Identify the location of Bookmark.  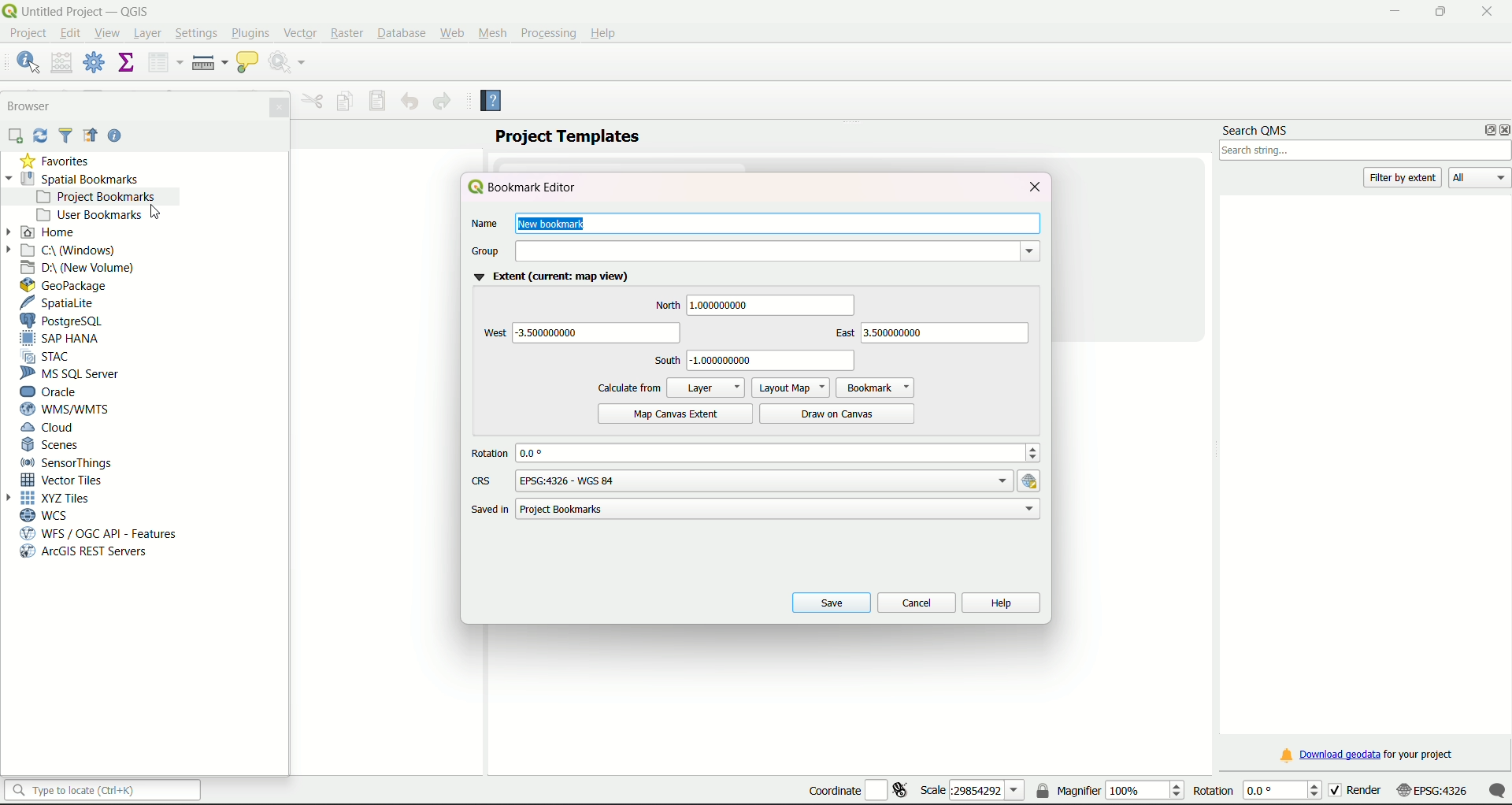
(876, 388).